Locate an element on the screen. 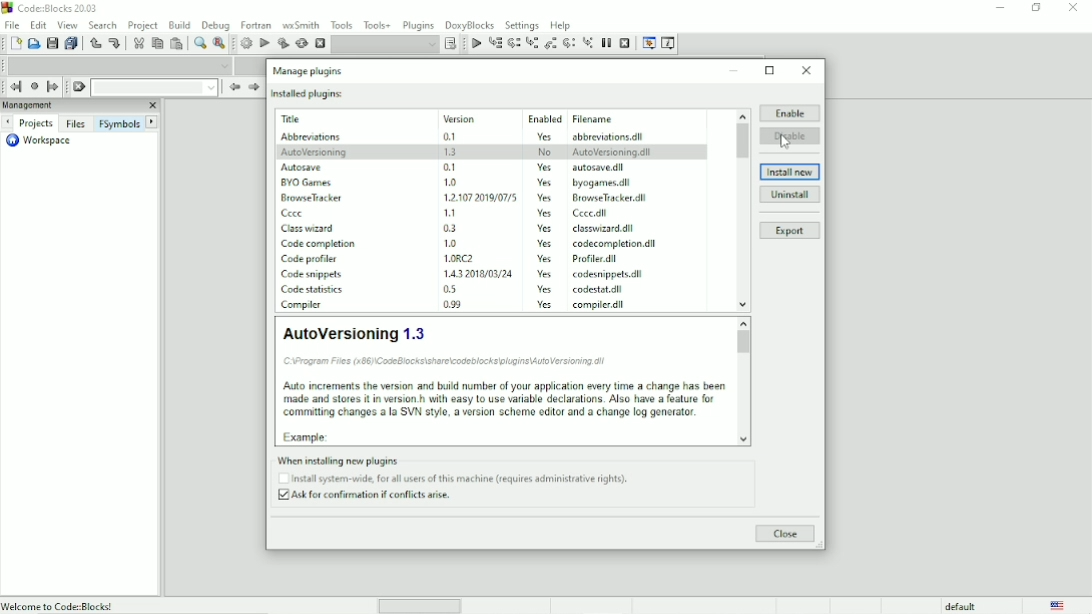  1.0 is located at coordinates (452, 243).